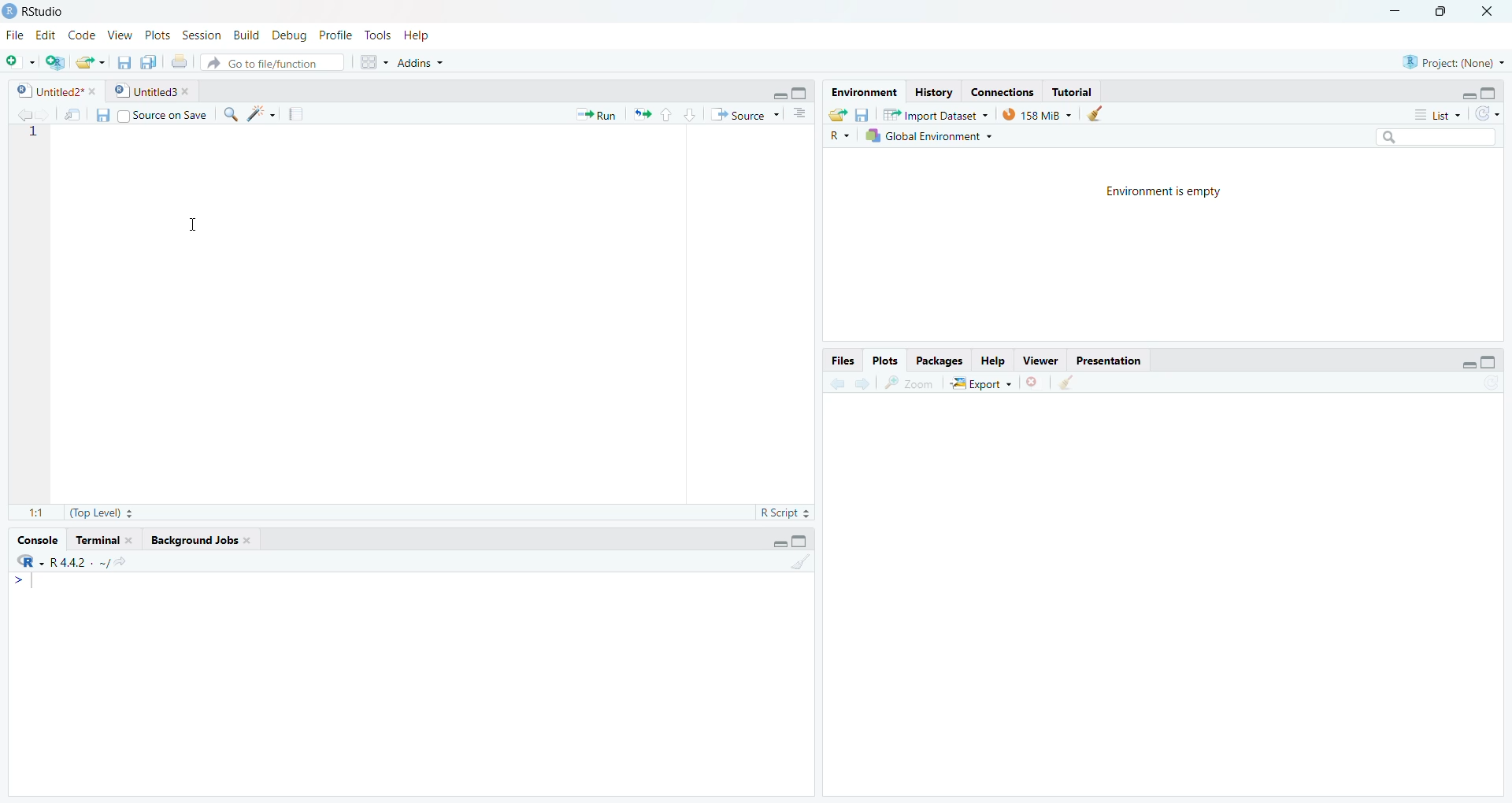 Image resolution: width=1512 pixels, height=803 pixels. What do you see at coordinates (254, 113) in the screenshot?
I see `code block` at bounding box center [254, 113].